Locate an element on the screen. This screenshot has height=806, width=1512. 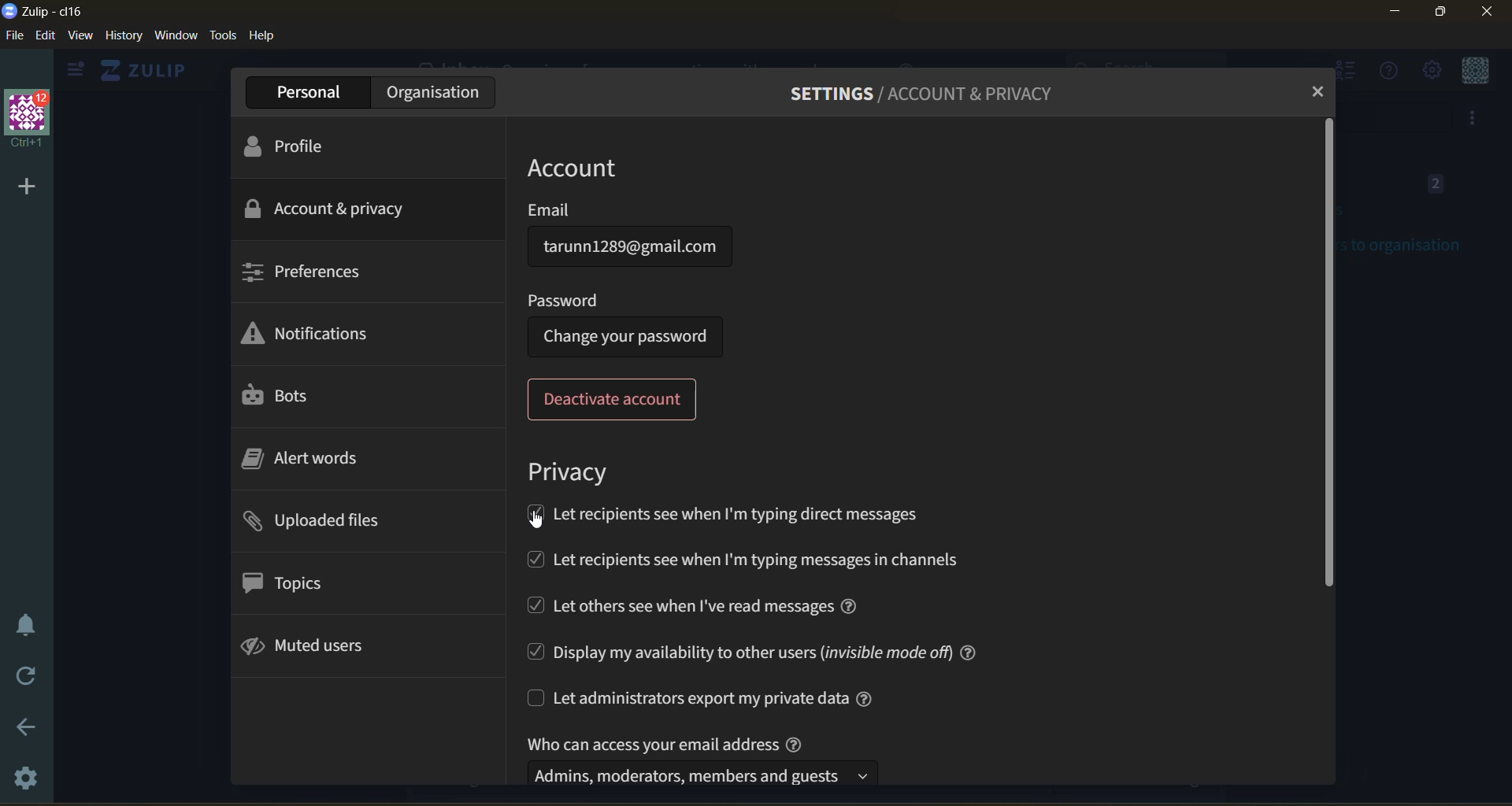
reload is located at coordinates (28, 677).